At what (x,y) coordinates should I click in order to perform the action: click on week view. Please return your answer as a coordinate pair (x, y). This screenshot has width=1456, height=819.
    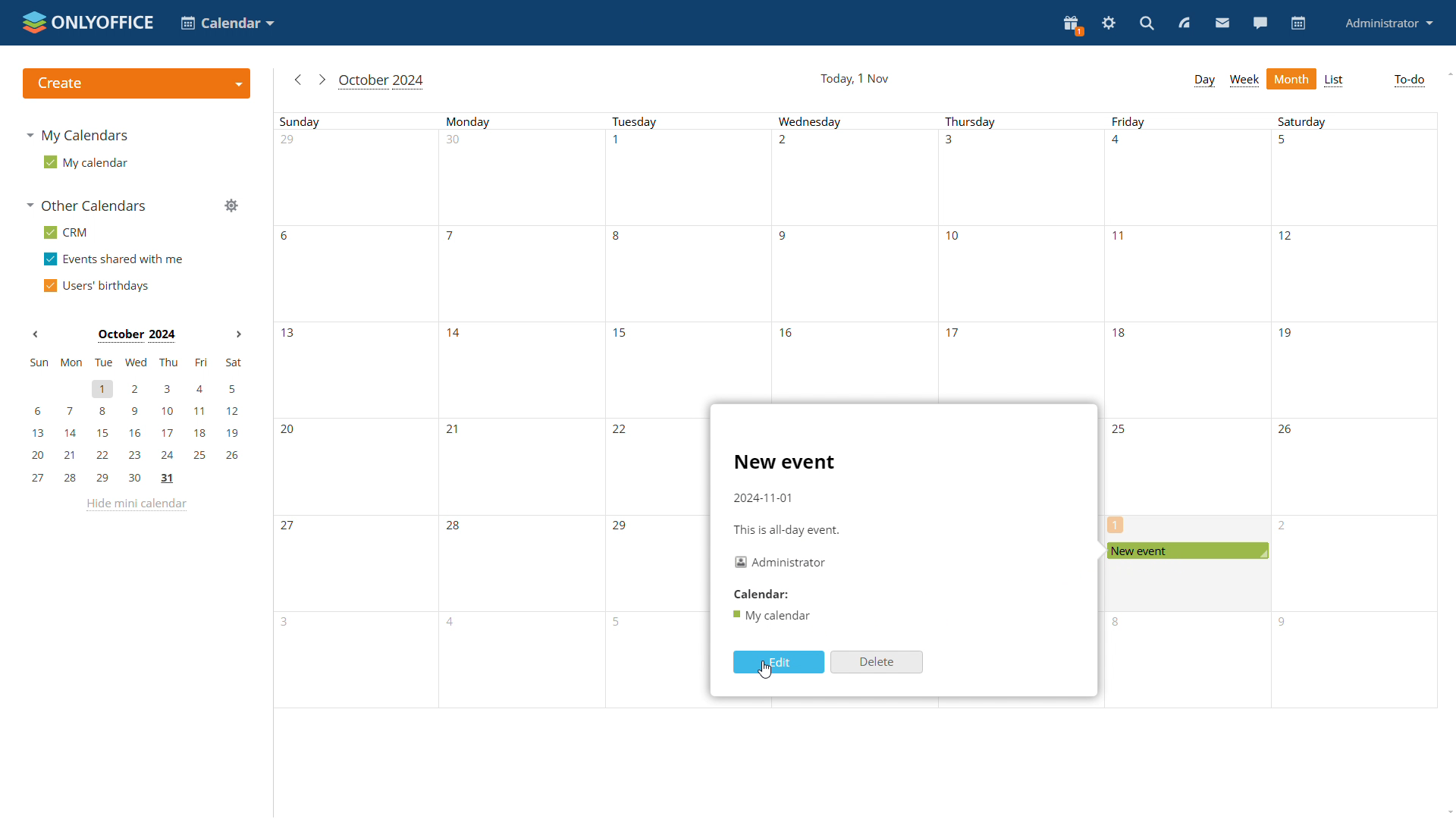
    Looking at the image, I should click on (1245, 81).